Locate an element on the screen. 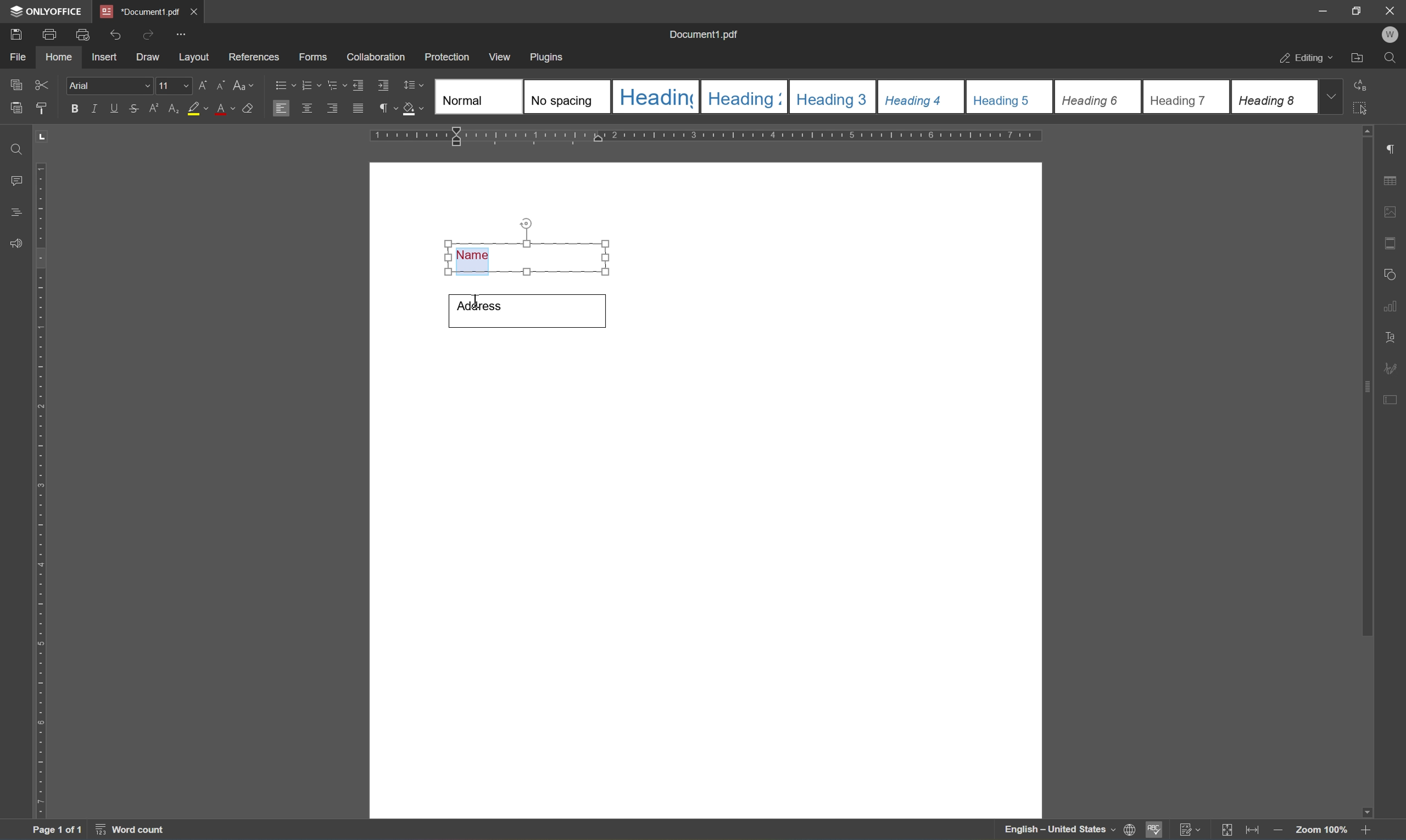 The width and height of the screenshot is (1406, 840). multilevel list is located at coordinates (335, 85).